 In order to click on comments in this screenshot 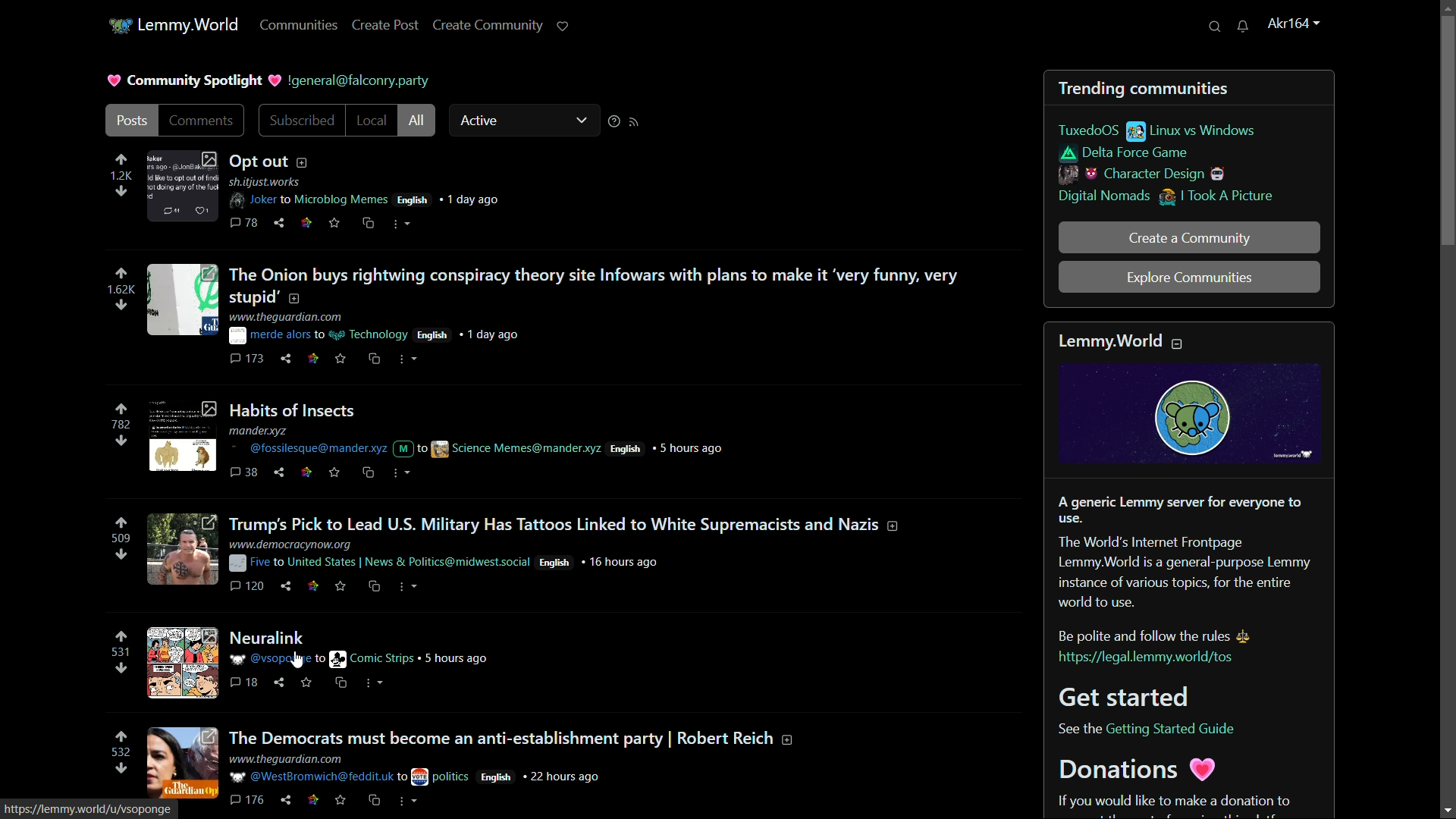, I will do `click(243, 223)`.